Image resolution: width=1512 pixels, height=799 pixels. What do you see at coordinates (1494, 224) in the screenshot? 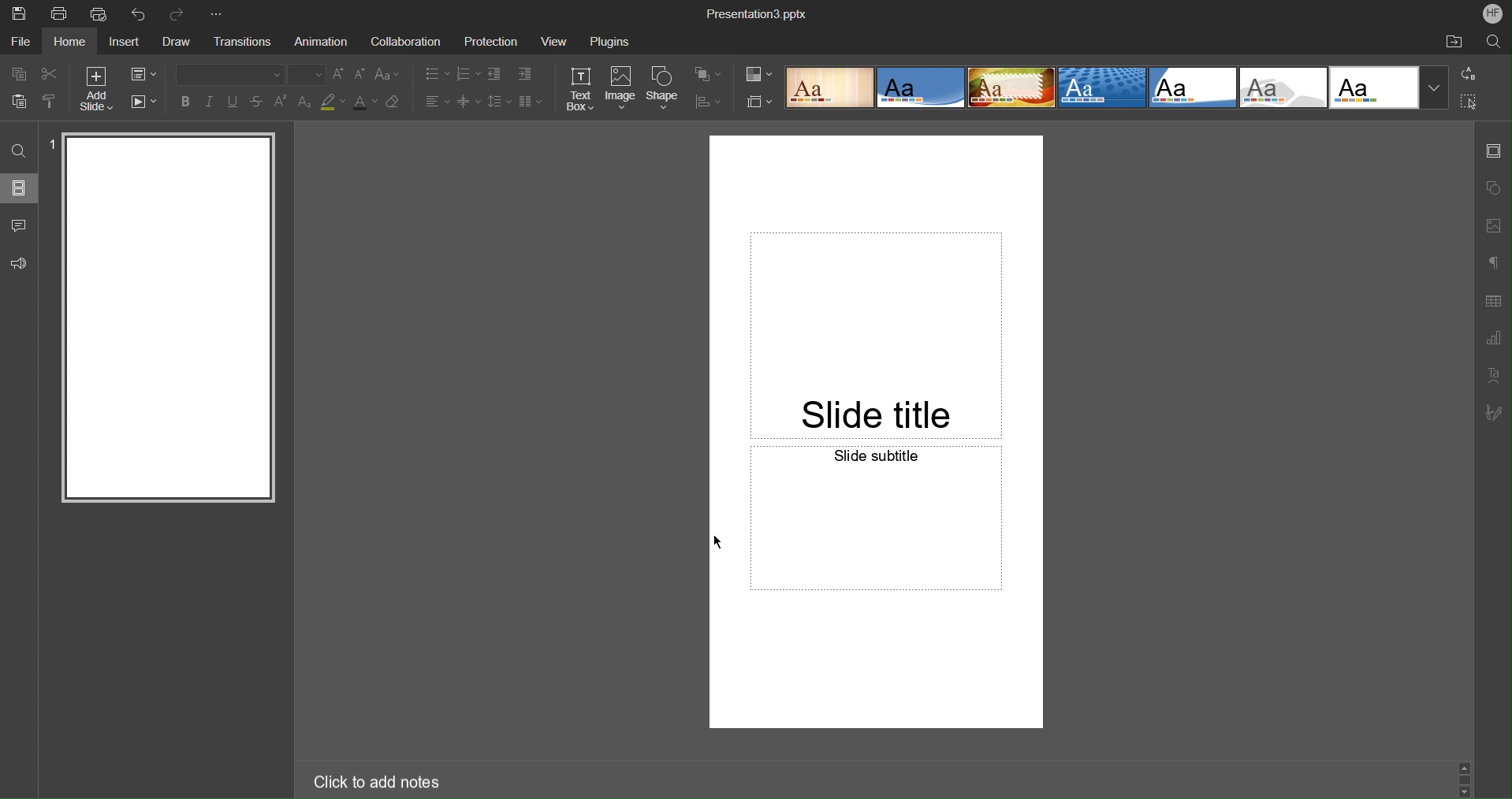
I see `Image Settings` at bounding box center [1494, 224].